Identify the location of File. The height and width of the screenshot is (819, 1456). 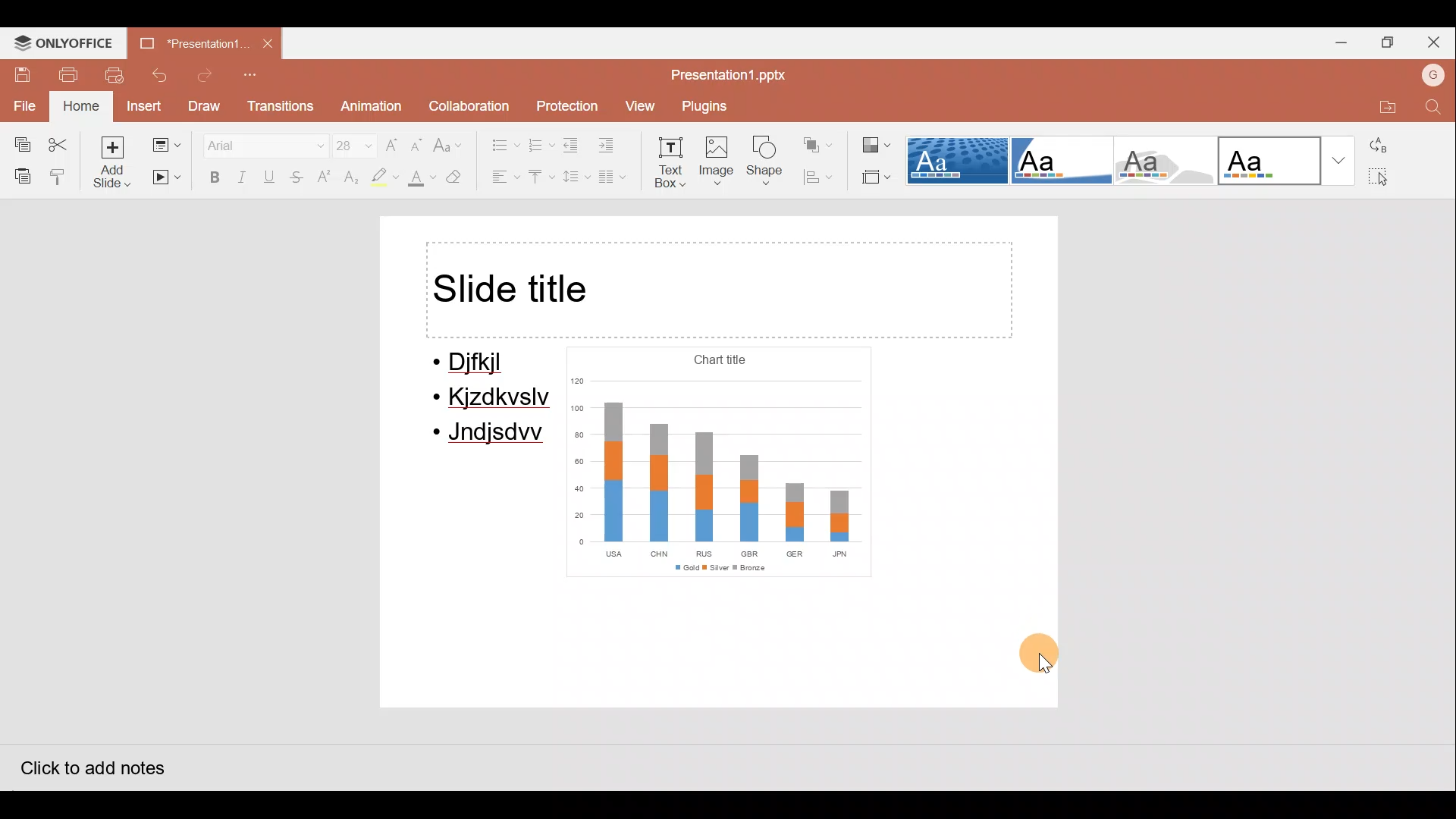
(21, 109).